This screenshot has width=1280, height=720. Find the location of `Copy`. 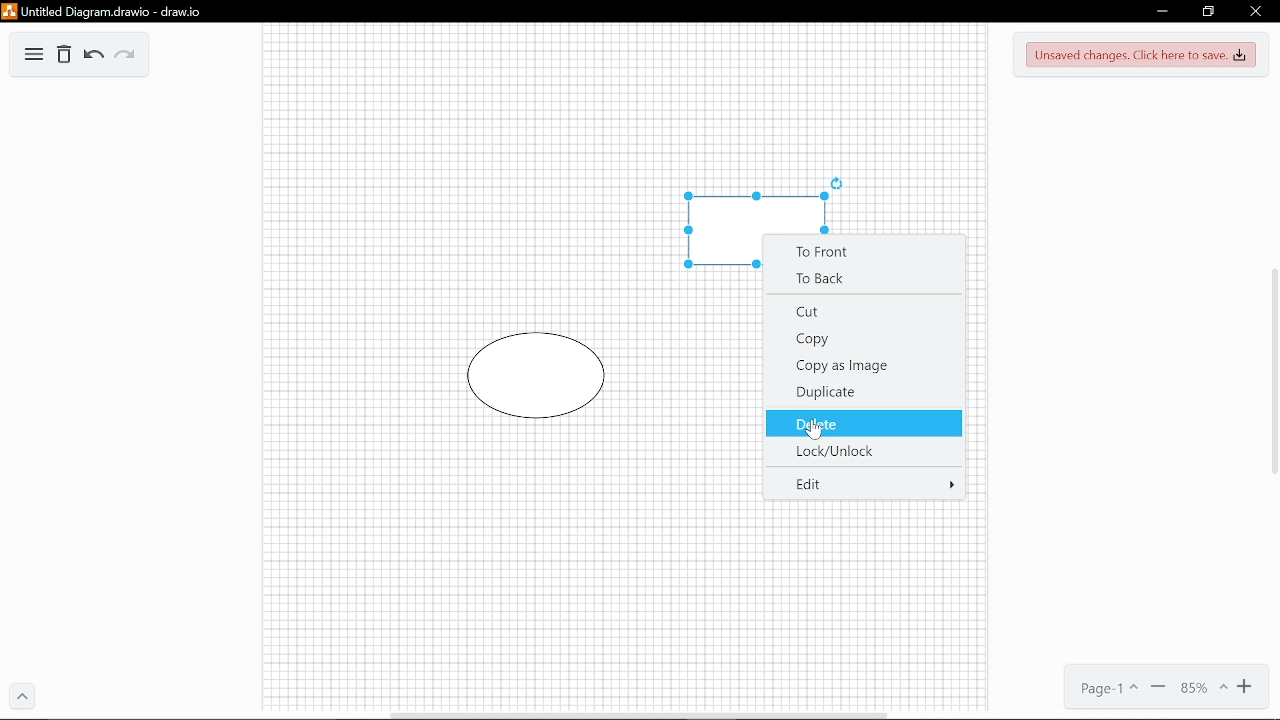

Copy is located at coordinates (864, 340).